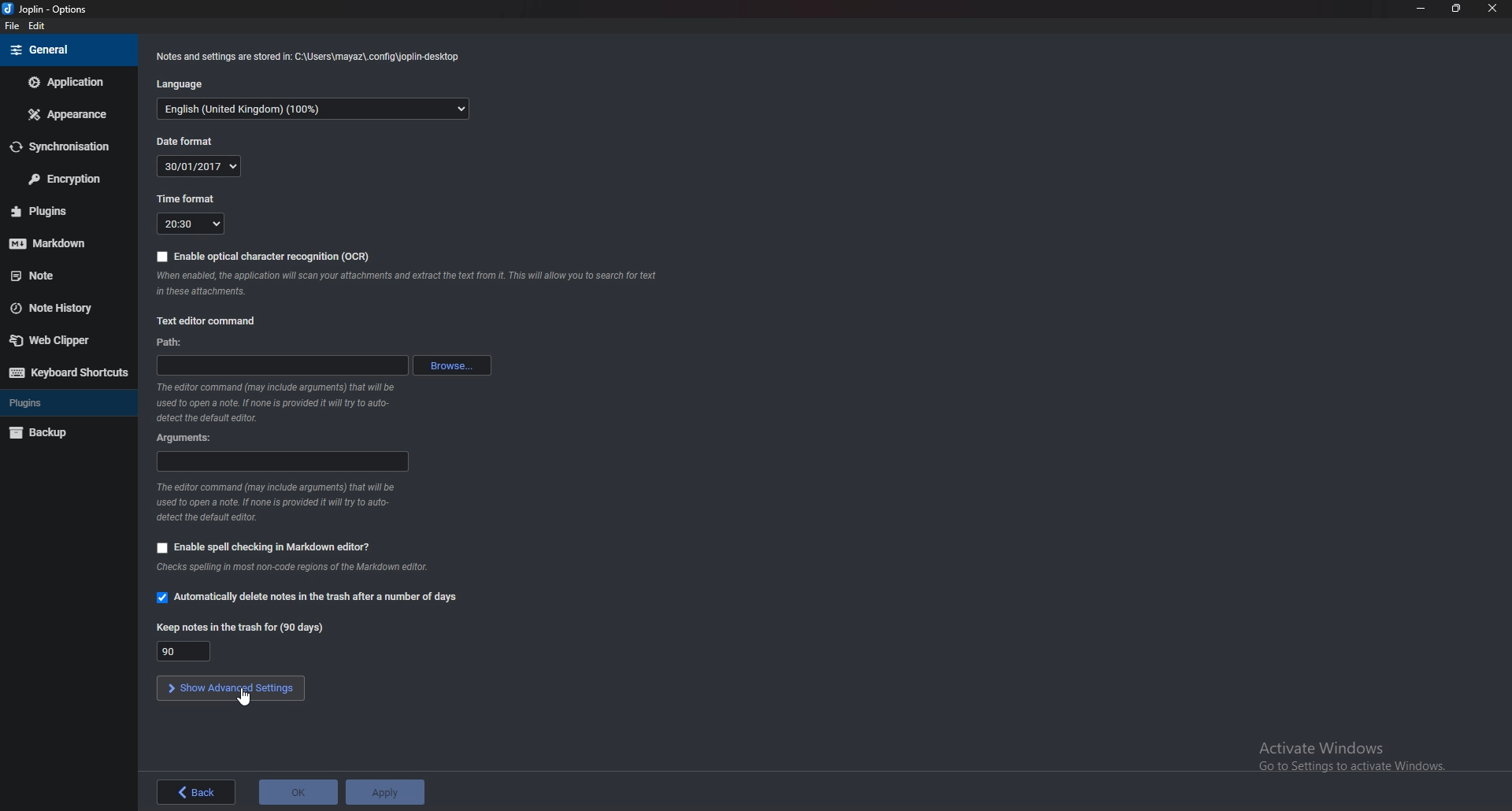 The width and height of the screenshot is (1512, 811). Describe the element at coordinates (55, 212) in the screenshot. I see `Plugins` at that location.